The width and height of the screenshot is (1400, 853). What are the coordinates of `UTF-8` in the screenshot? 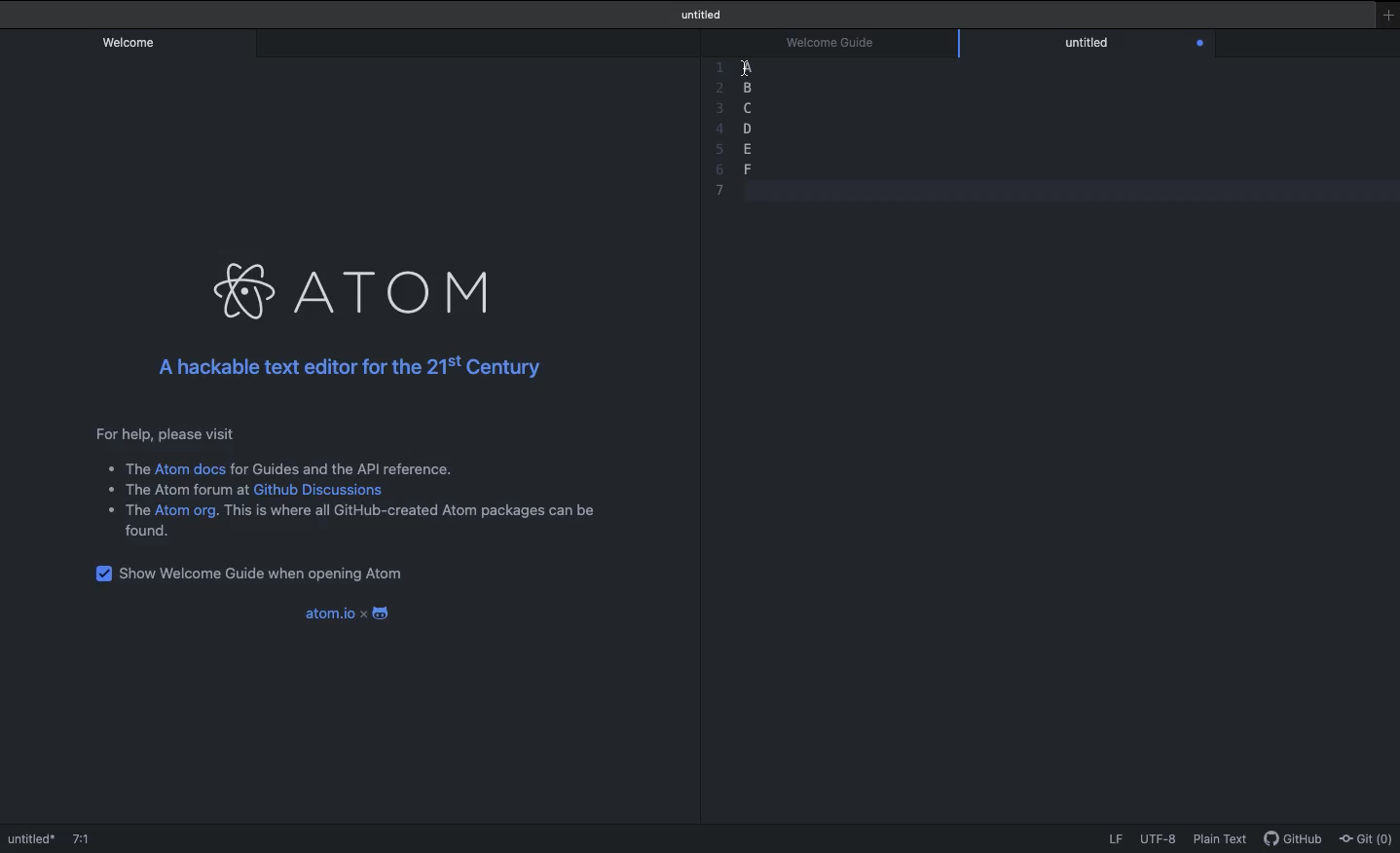 It's located at (1160, 839).